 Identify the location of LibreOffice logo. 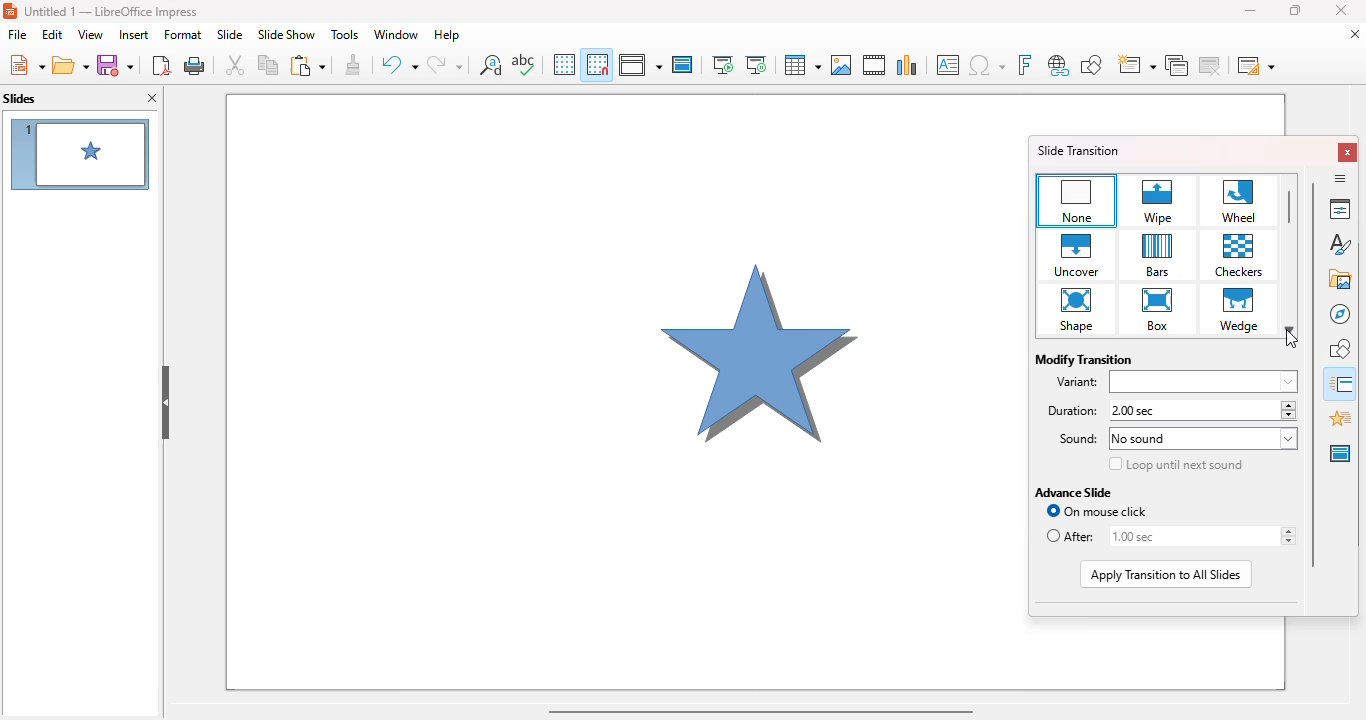
(10, 11).